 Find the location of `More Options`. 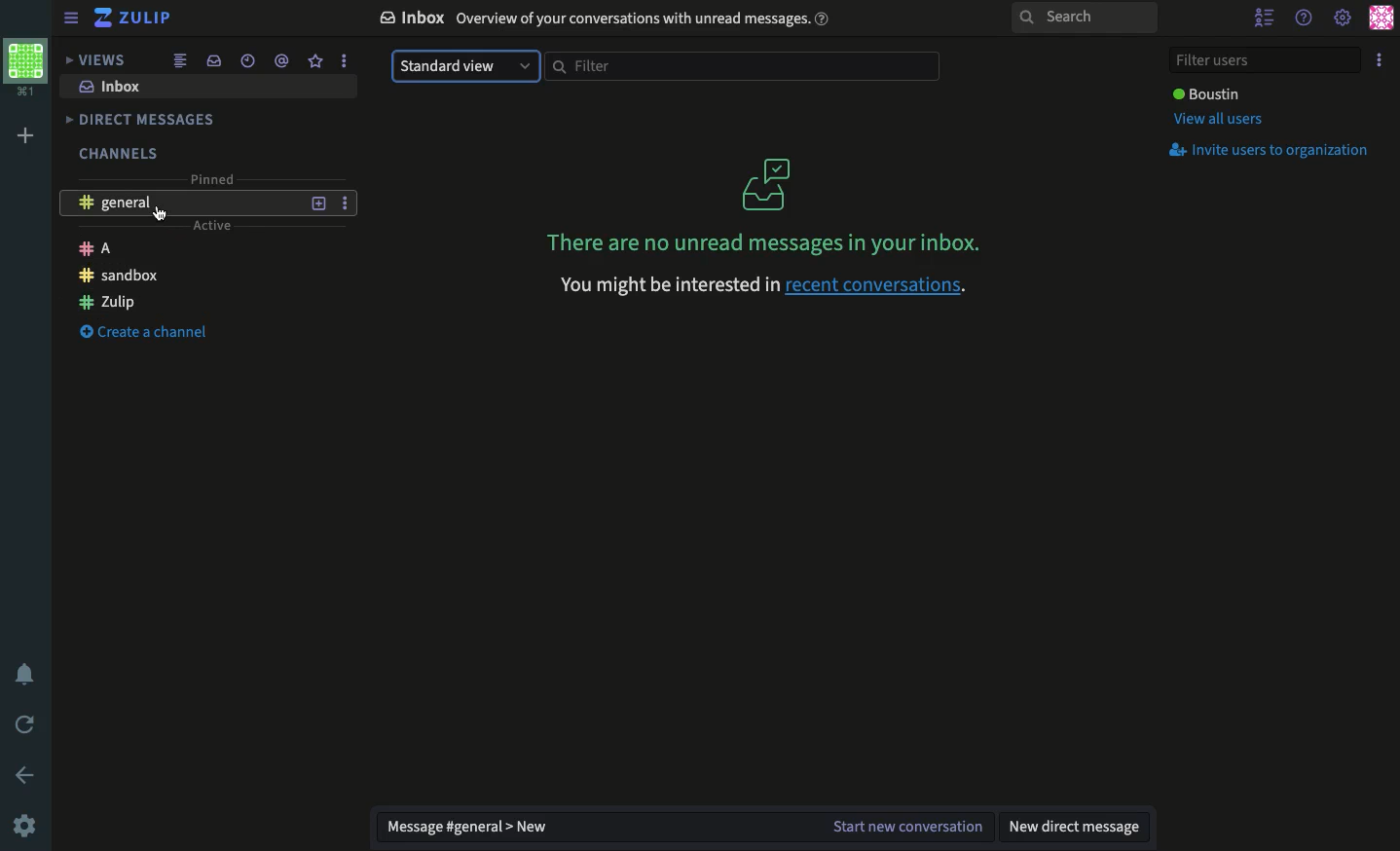

More Options is located at coordinates (350, 204).